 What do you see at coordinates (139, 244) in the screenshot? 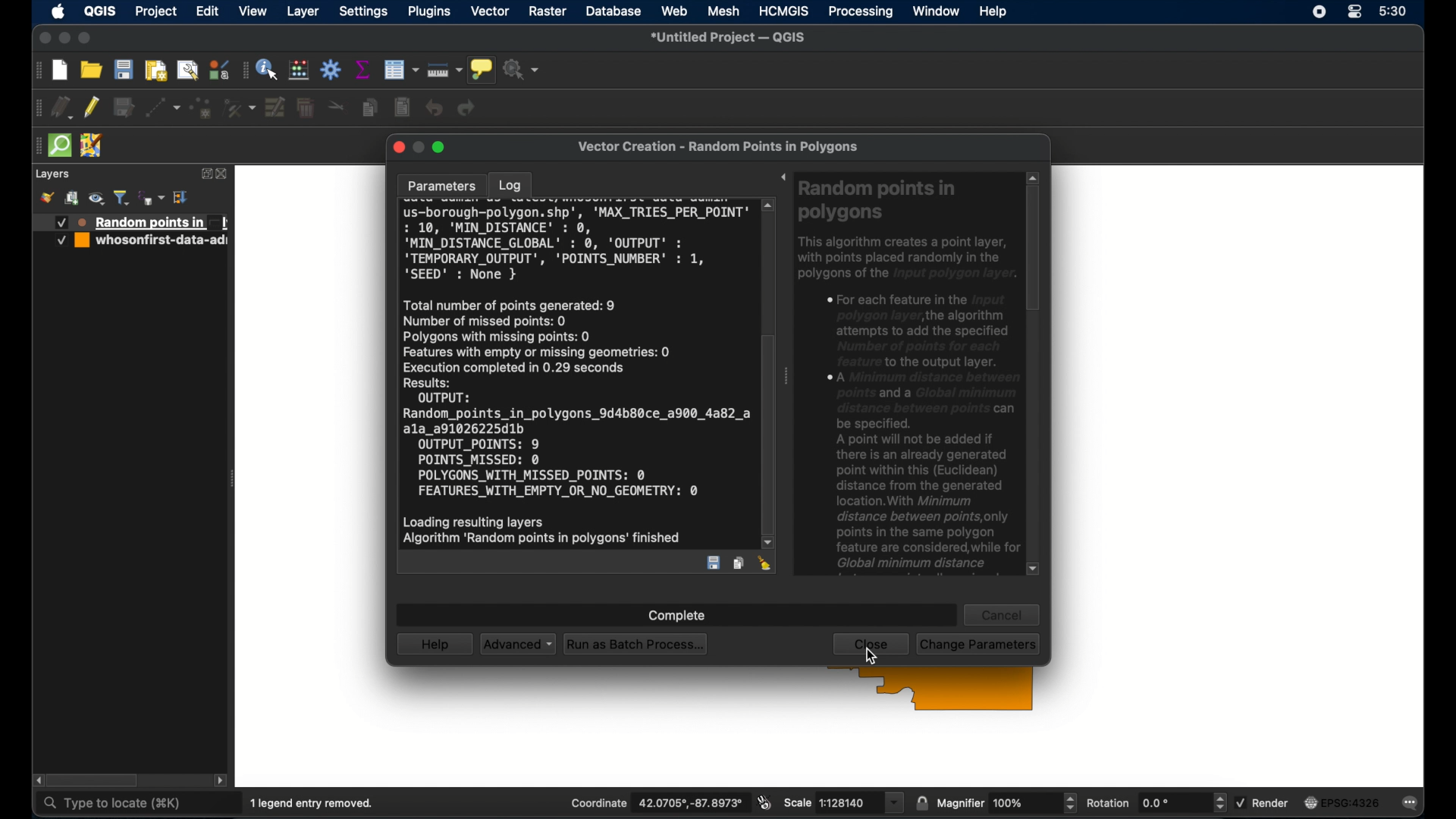
I see `whoseonfirst-date-ad` at bounding box center [139, 244].